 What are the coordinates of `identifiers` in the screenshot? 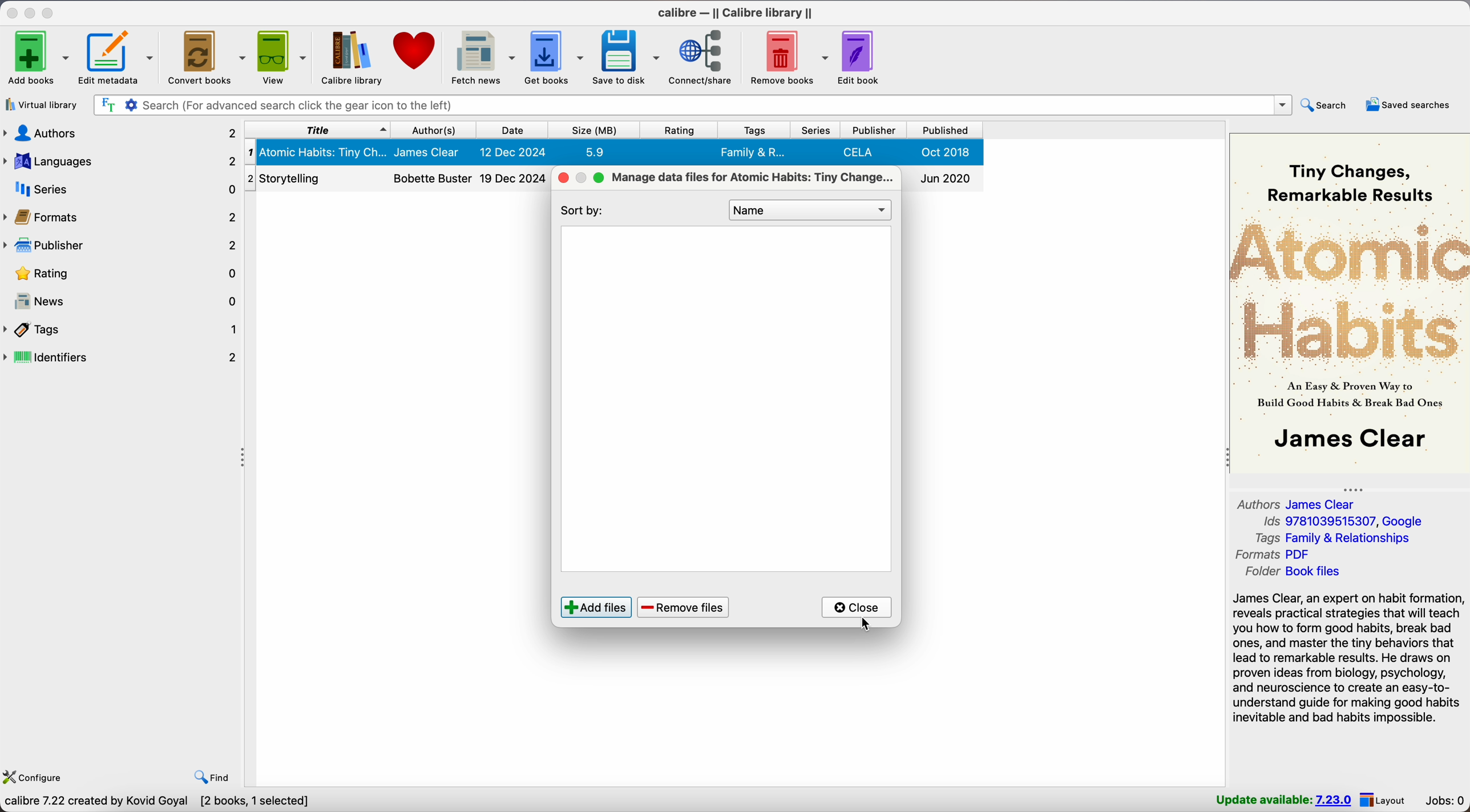 It's located at (123, 358).